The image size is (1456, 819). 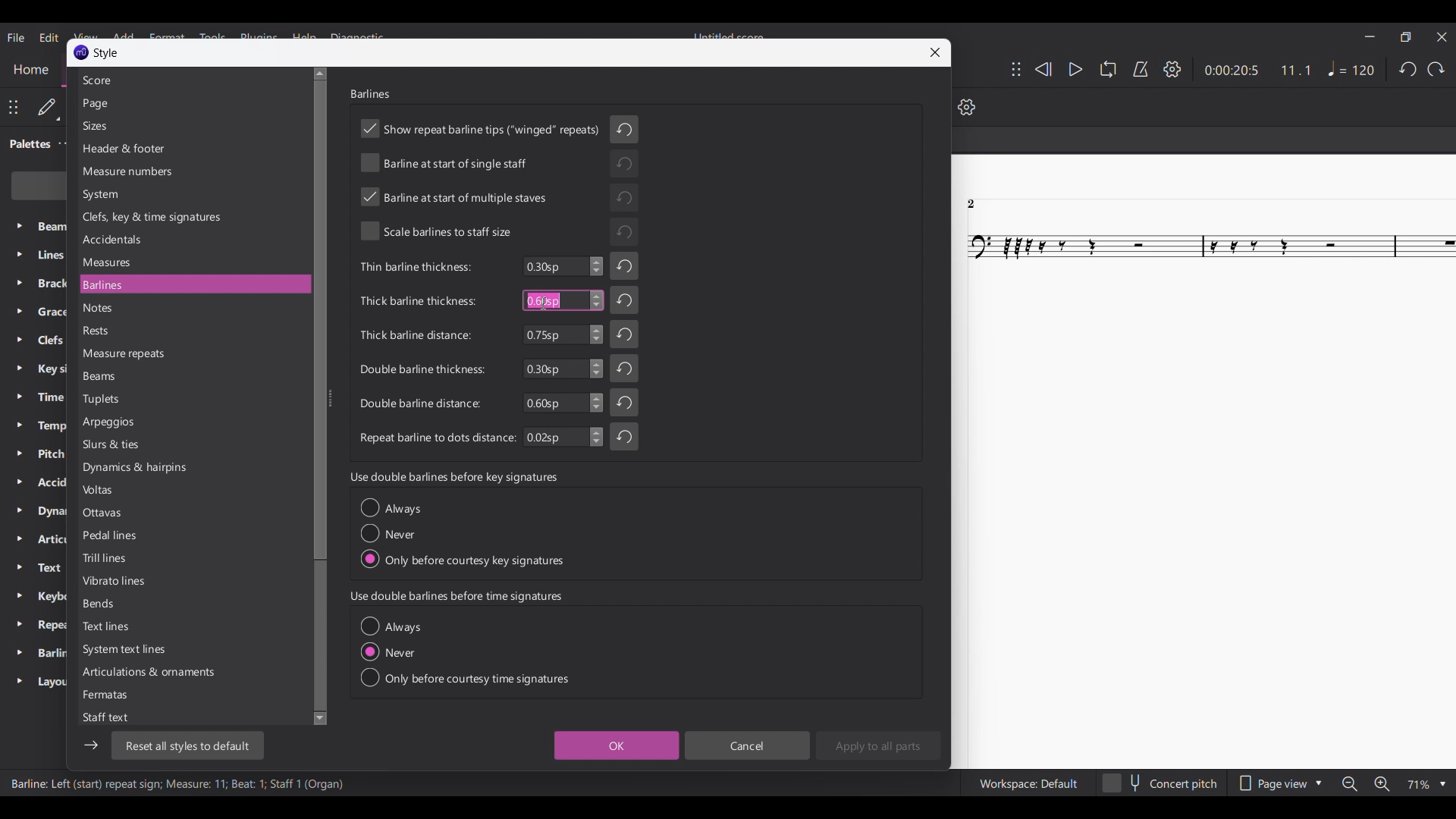 What do you see at coordinates (1159, 783) in the screenshot?
I see `Toggle for concert pitch` at bounding box center [1159, 783].